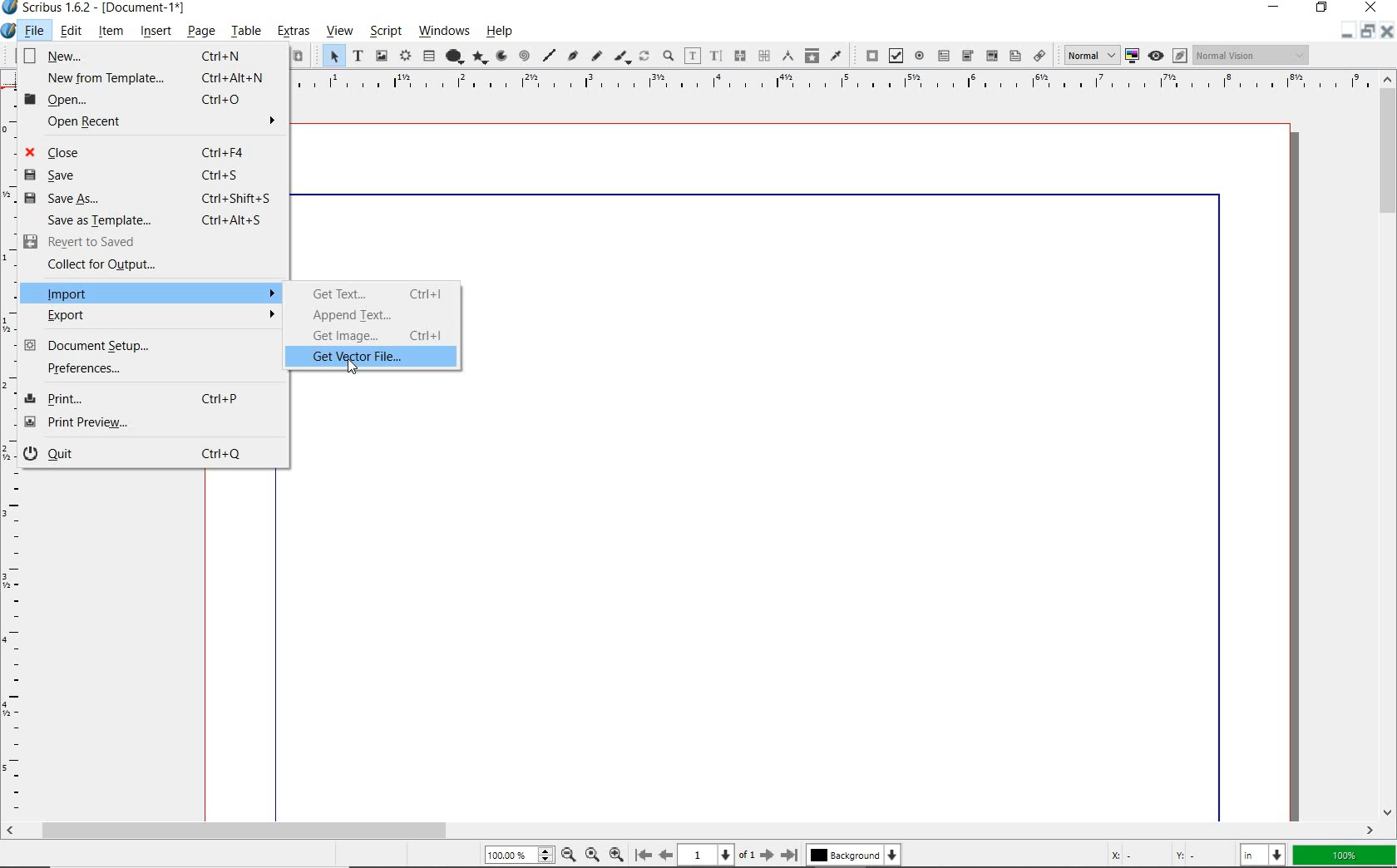 The height and width of the screenshot is (868, 1397). Describe the element at coordinates (245, 31) in the screenshot. I see `table` at that location.